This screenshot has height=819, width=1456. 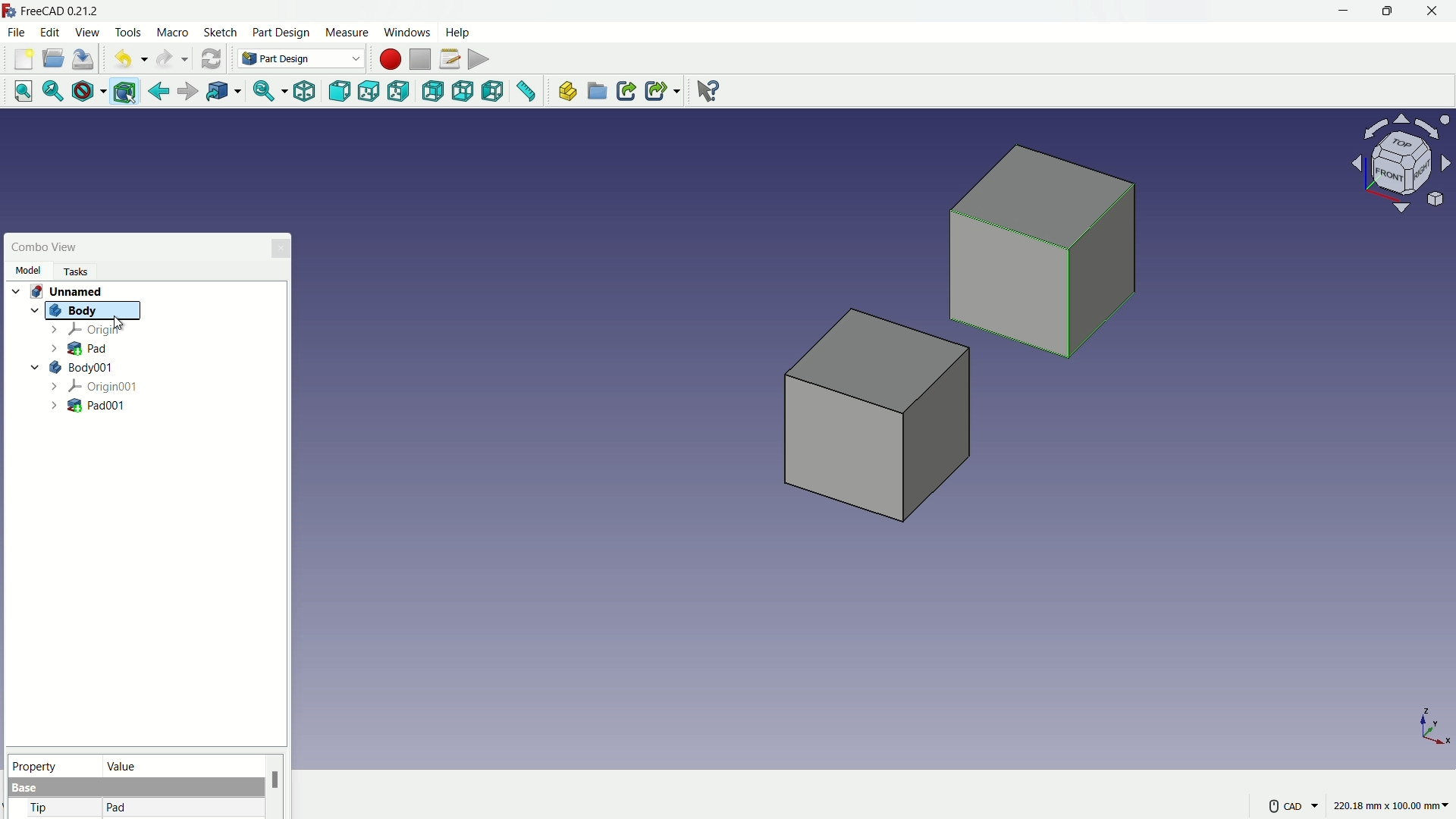 I want to click on fit selection, so click(x=49, y=92).